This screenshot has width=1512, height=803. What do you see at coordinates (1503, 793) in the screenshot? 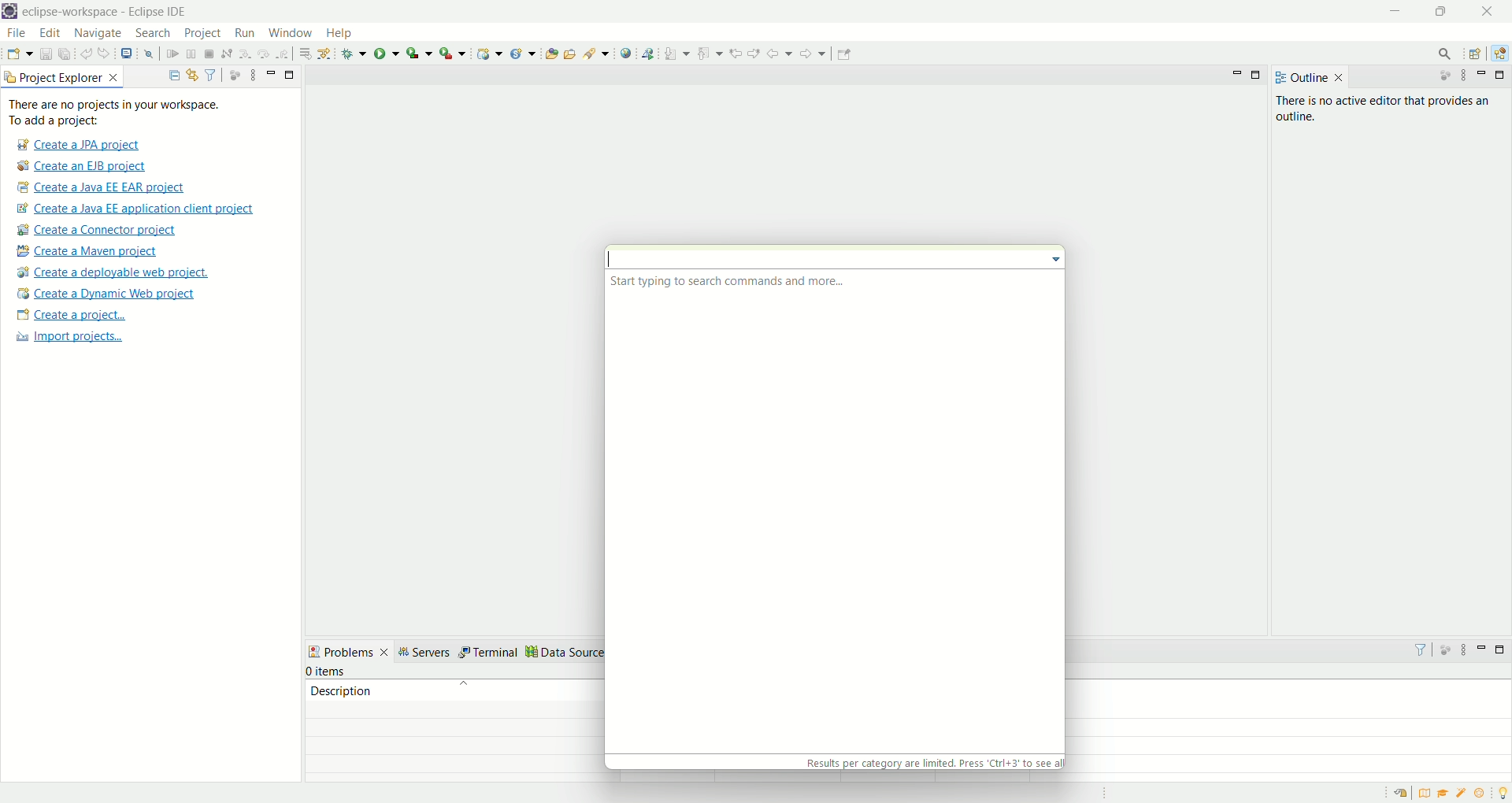
I see `tip of the day` at bounding box center [1503, 793].